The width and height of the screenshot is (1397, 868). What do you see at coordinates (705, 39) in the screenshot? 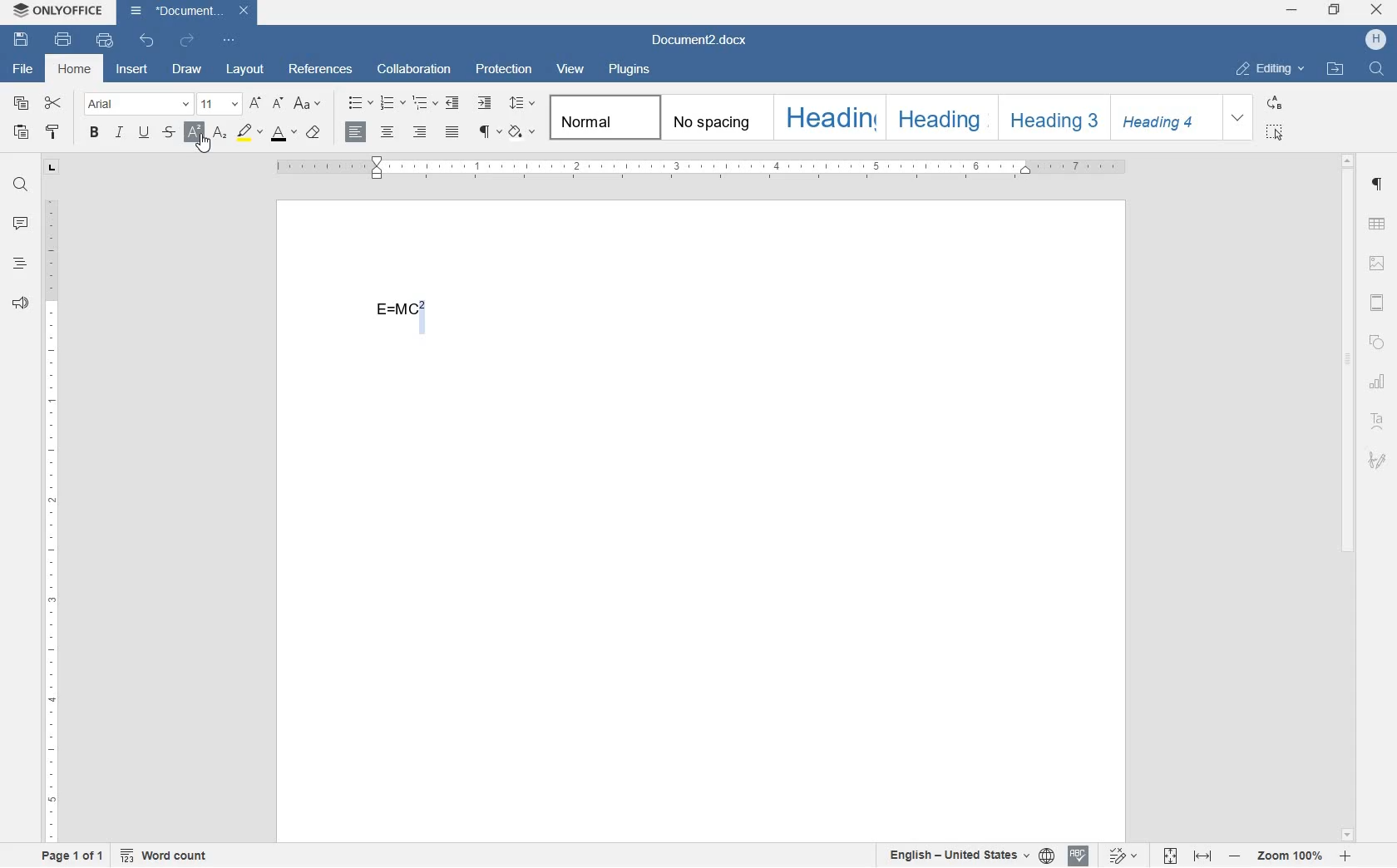
I see `file name` at bounding box center [705, 39].